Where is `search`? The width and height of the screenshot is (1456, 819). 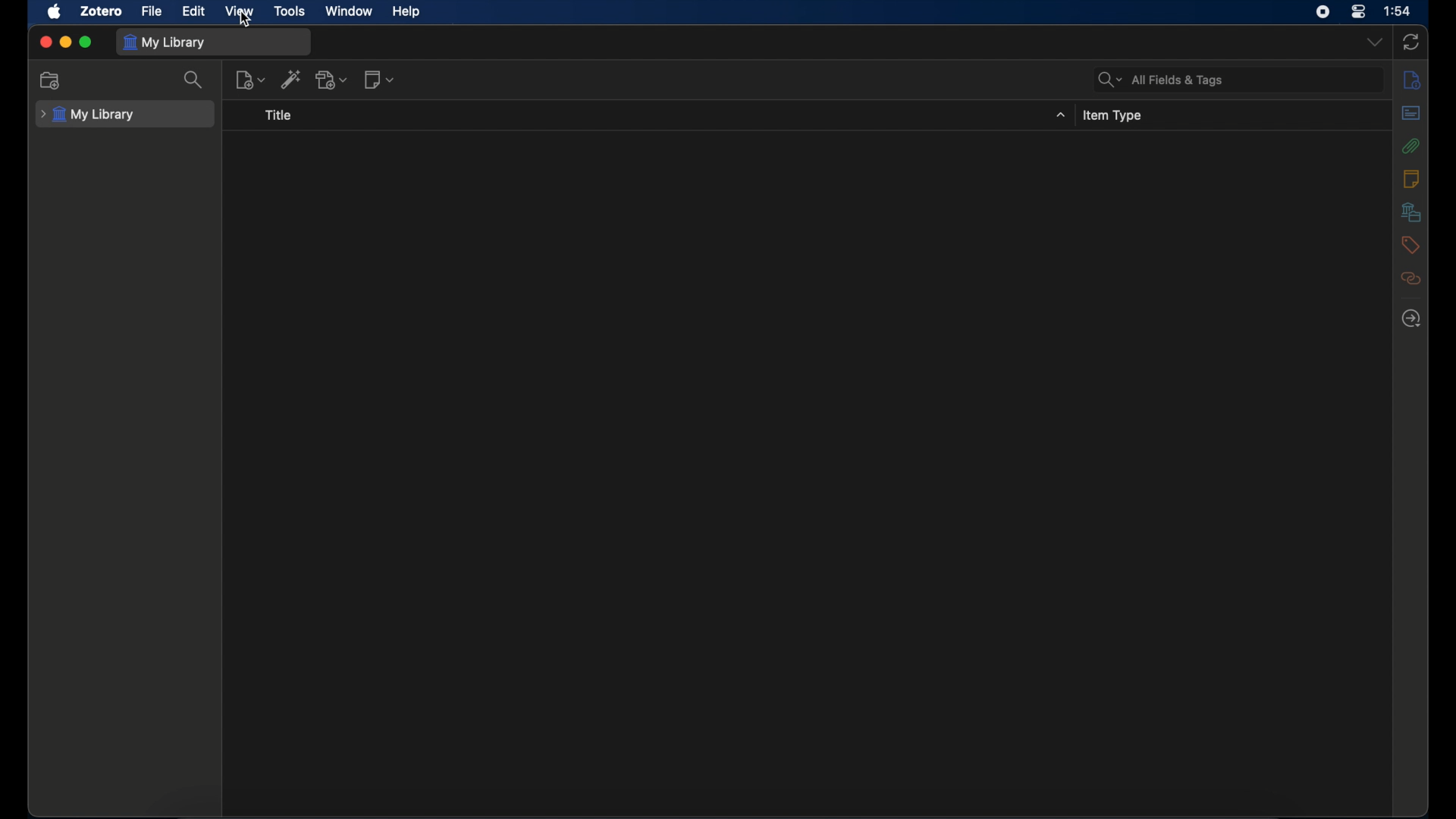
search is located at coordinates (194, 80).